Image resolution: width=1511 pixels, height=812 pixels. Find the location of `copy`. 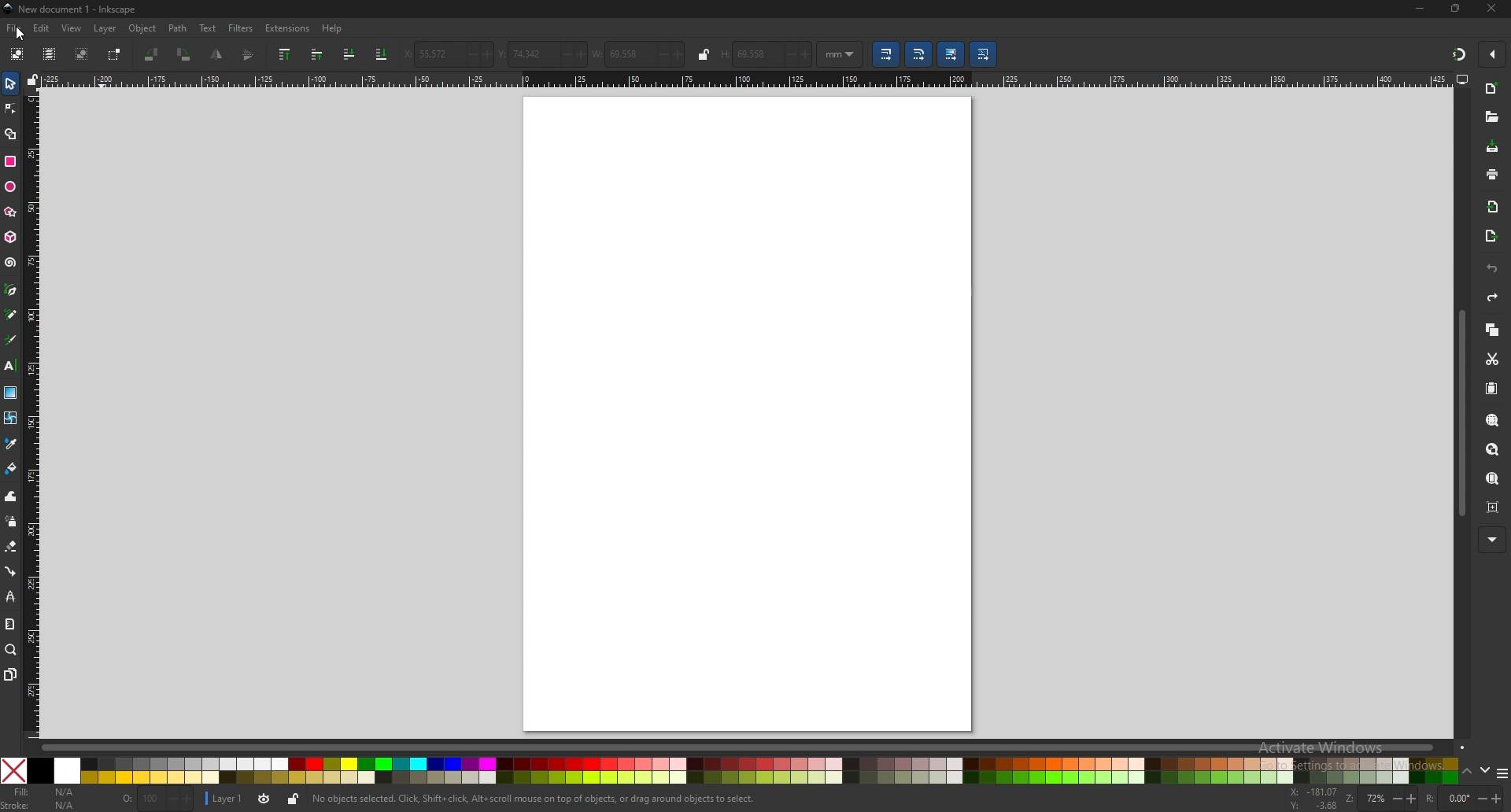

copy is located at coordinates (1493, 330).